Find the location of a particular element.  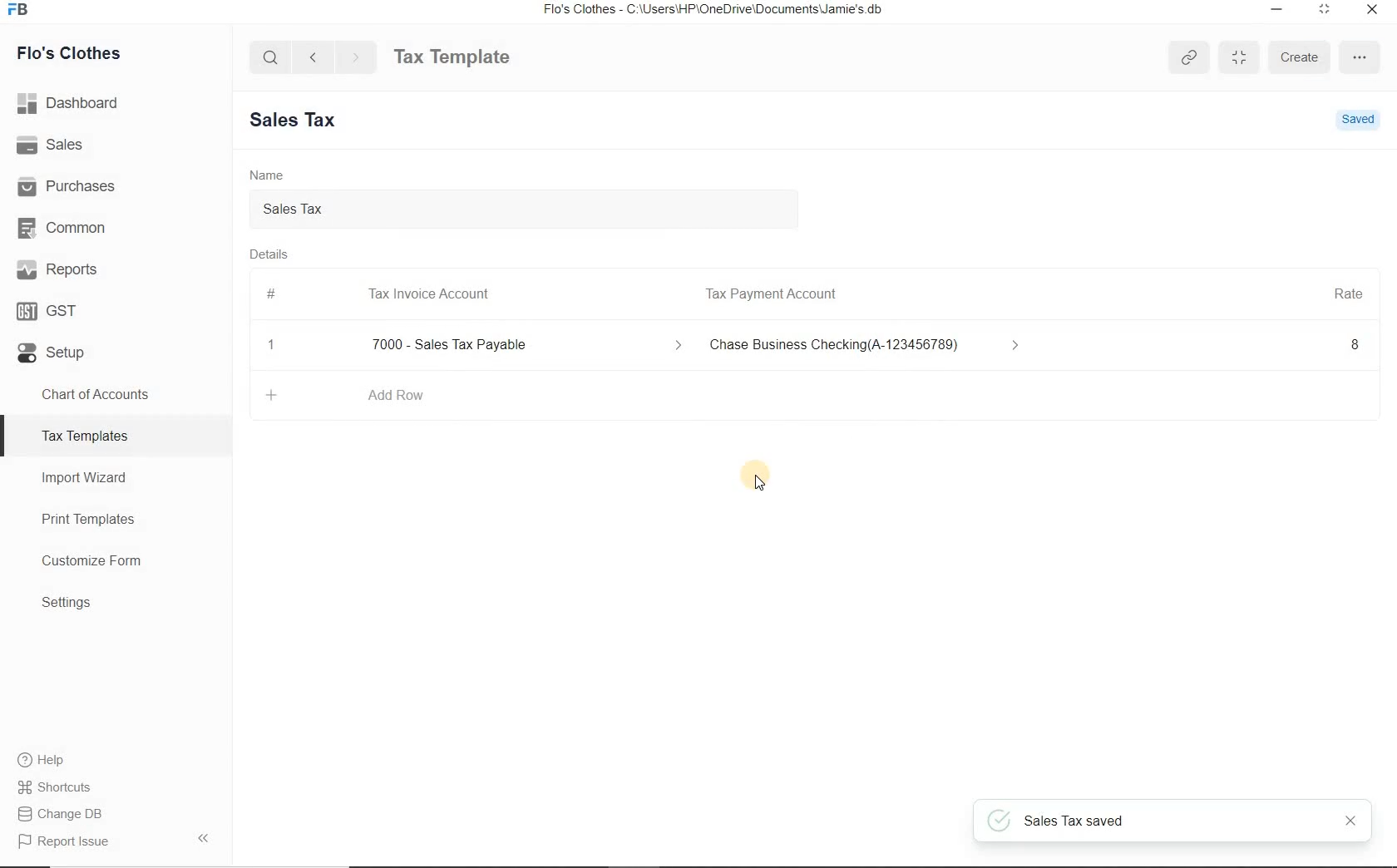

Maximize is located at coordinates (1238, 58).